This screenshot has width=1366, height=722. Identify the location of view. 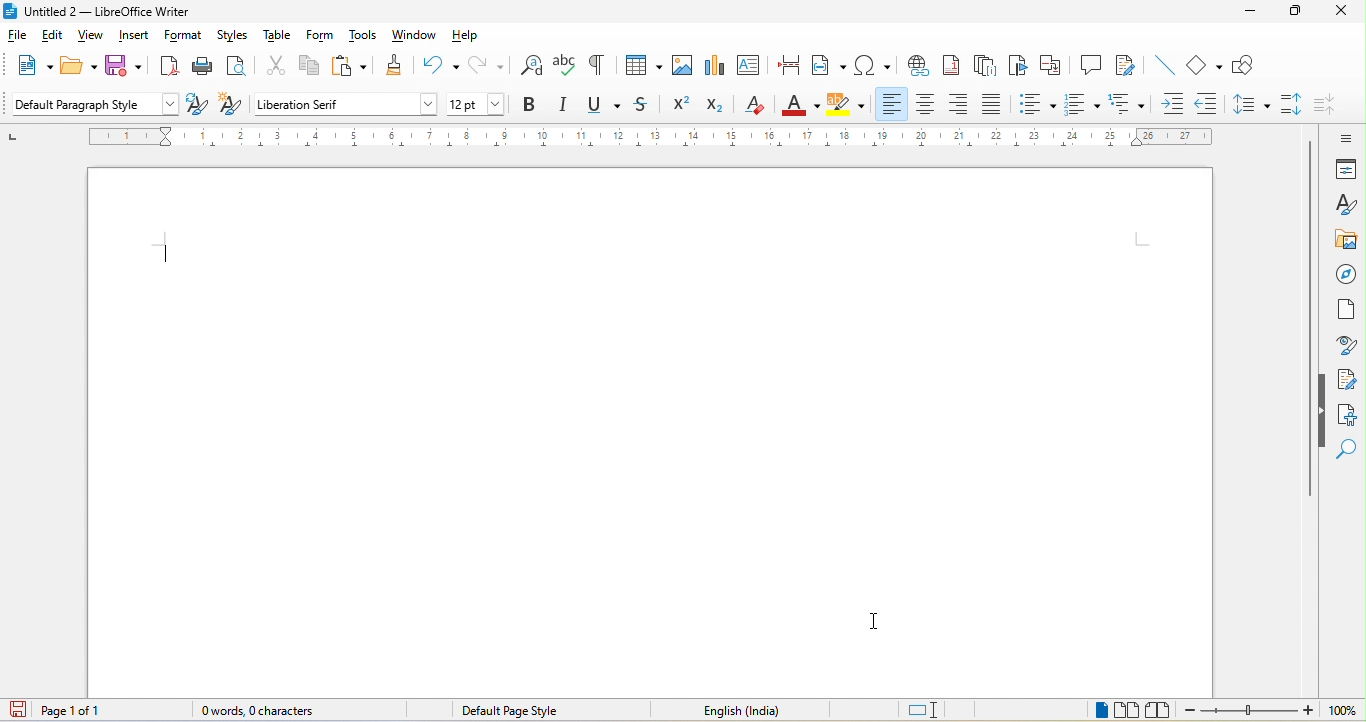
(92, 38).